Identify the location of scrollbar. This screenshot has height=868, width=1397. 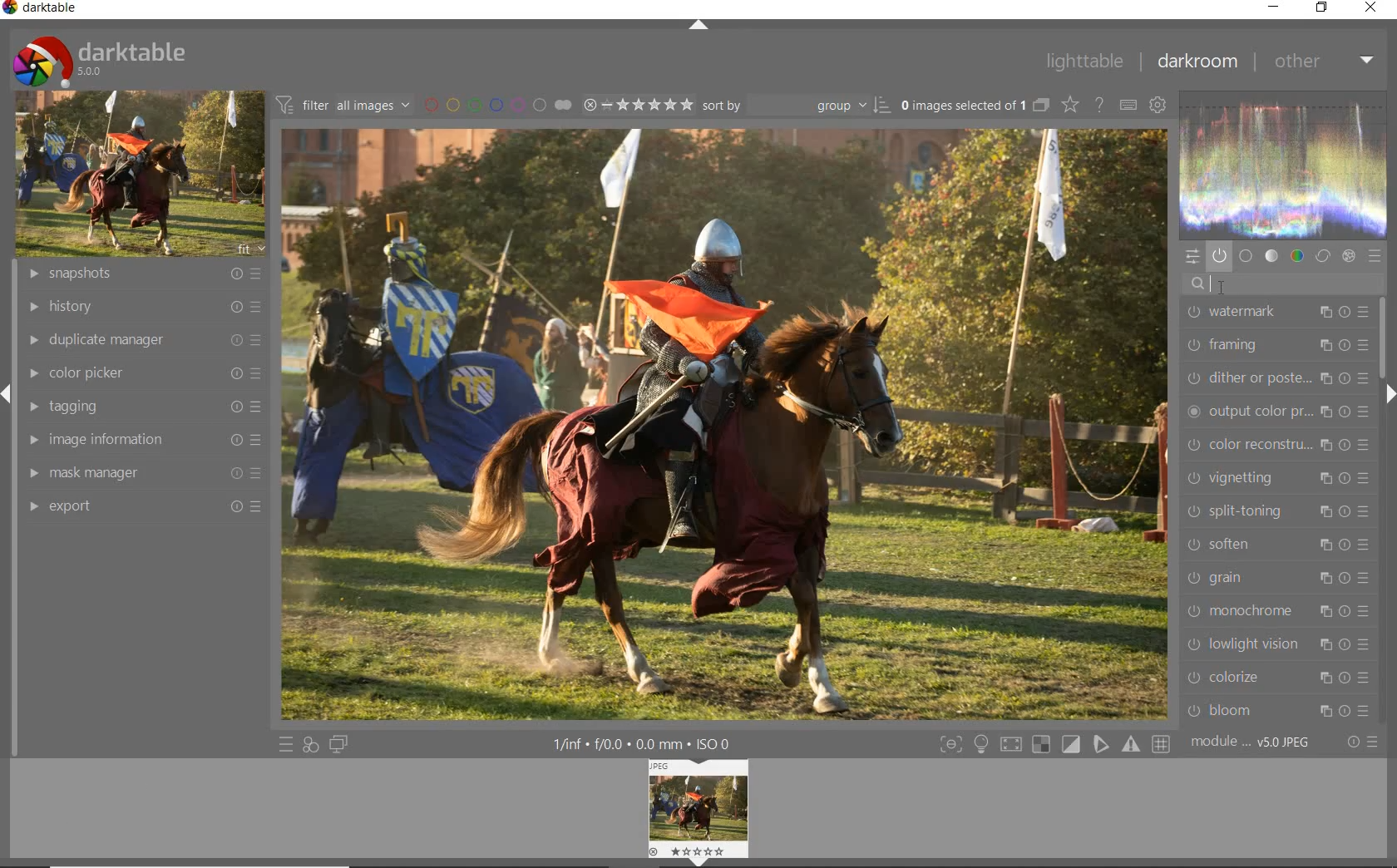
(1381, 338).